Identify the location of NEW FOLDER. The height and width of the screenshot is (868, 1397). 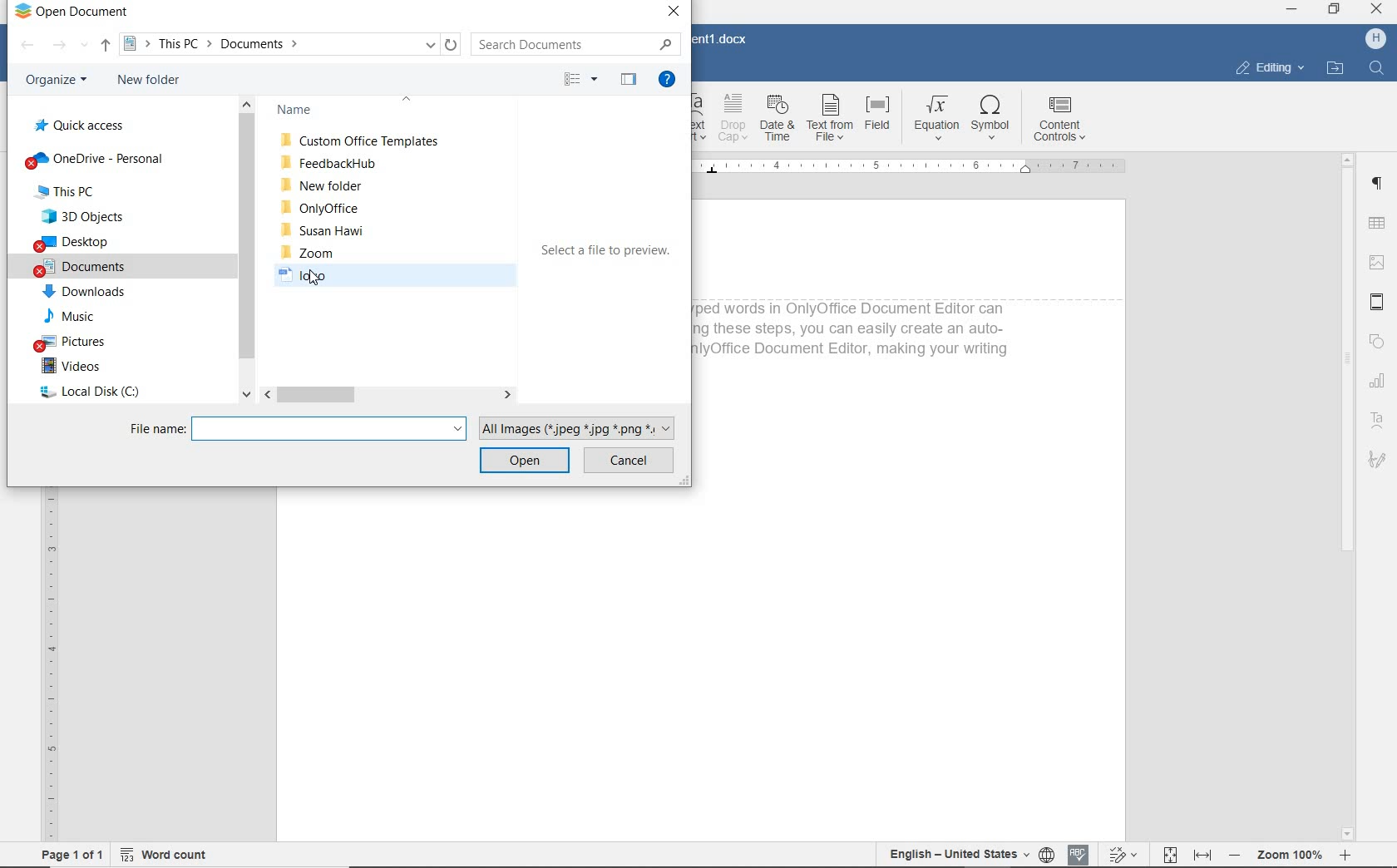
(150, 81).